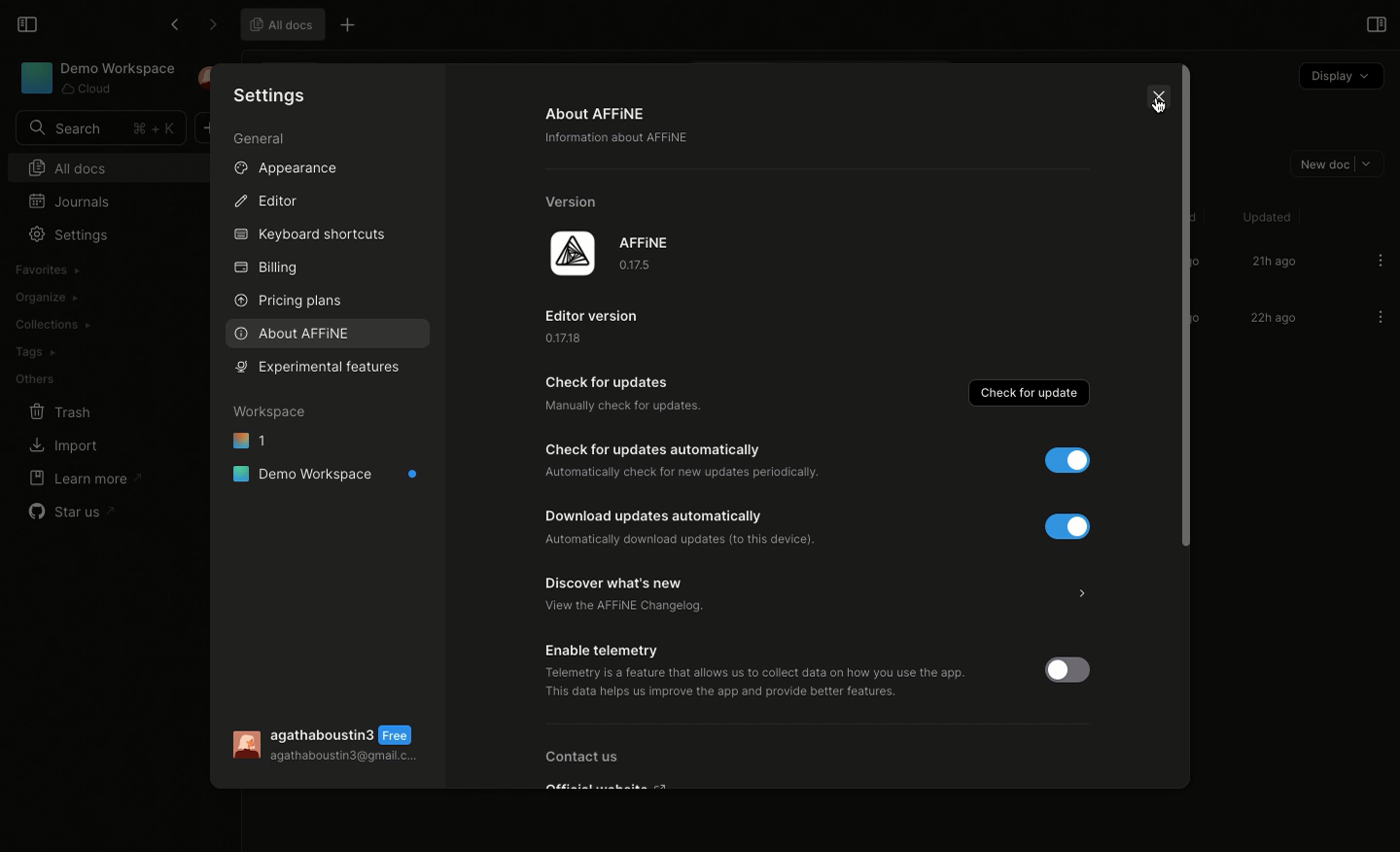 This screenshot has width=1400, height=852. I want to click on Settings, so click(272, 94).